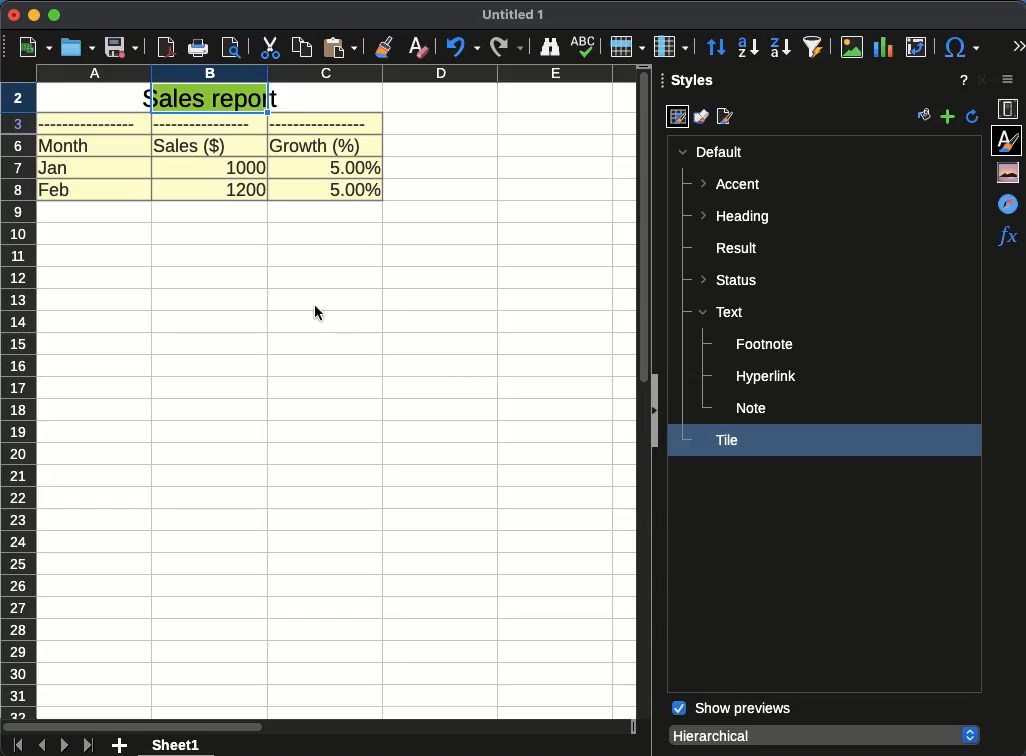  Describe the element at coordinates (383, 47) in the screenshot. I see `clone formatting` at that location.